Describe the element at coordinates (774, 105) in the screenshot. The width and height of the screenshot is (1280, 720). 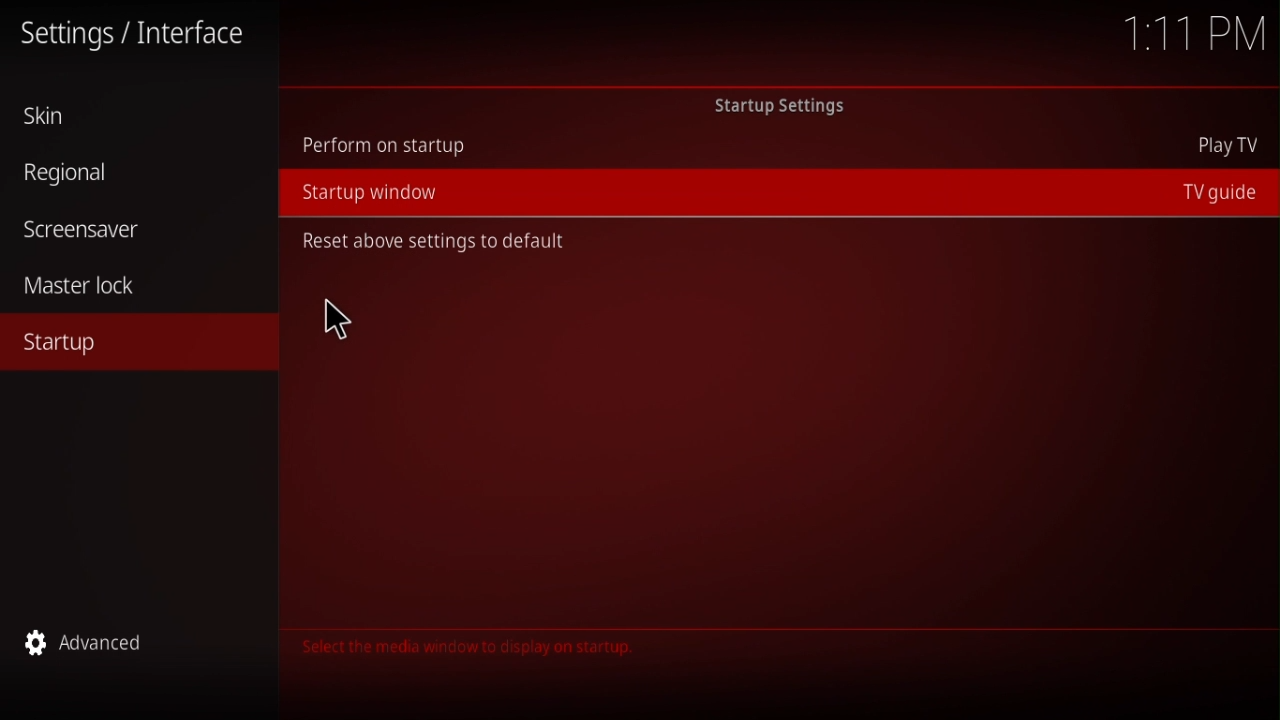
I see `Startup settings` at that location.